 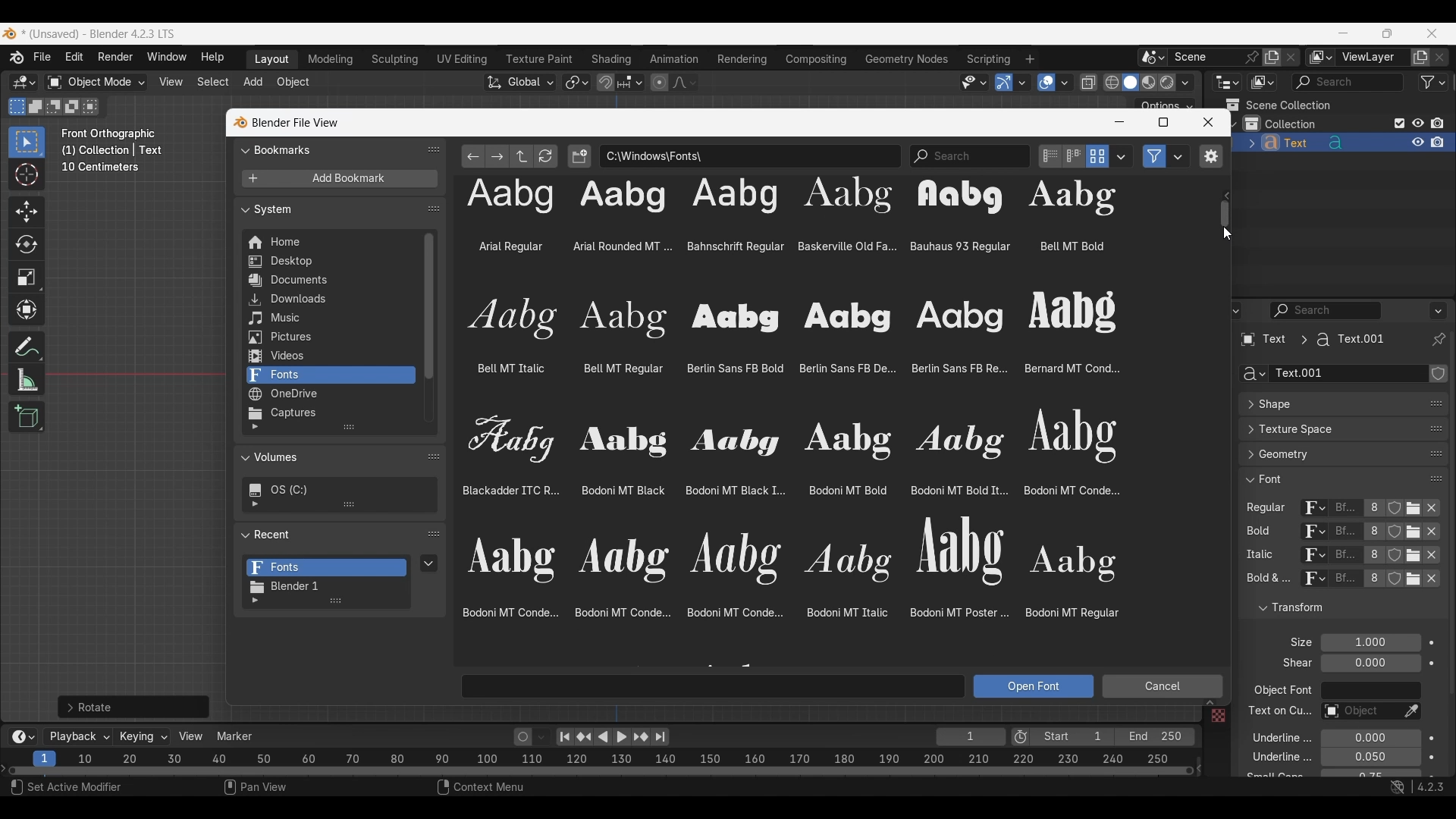 What do you see at coordinates (1437, 601) in the screenshot?
I see `Change order in the list` at bounding box center [1437, 601].